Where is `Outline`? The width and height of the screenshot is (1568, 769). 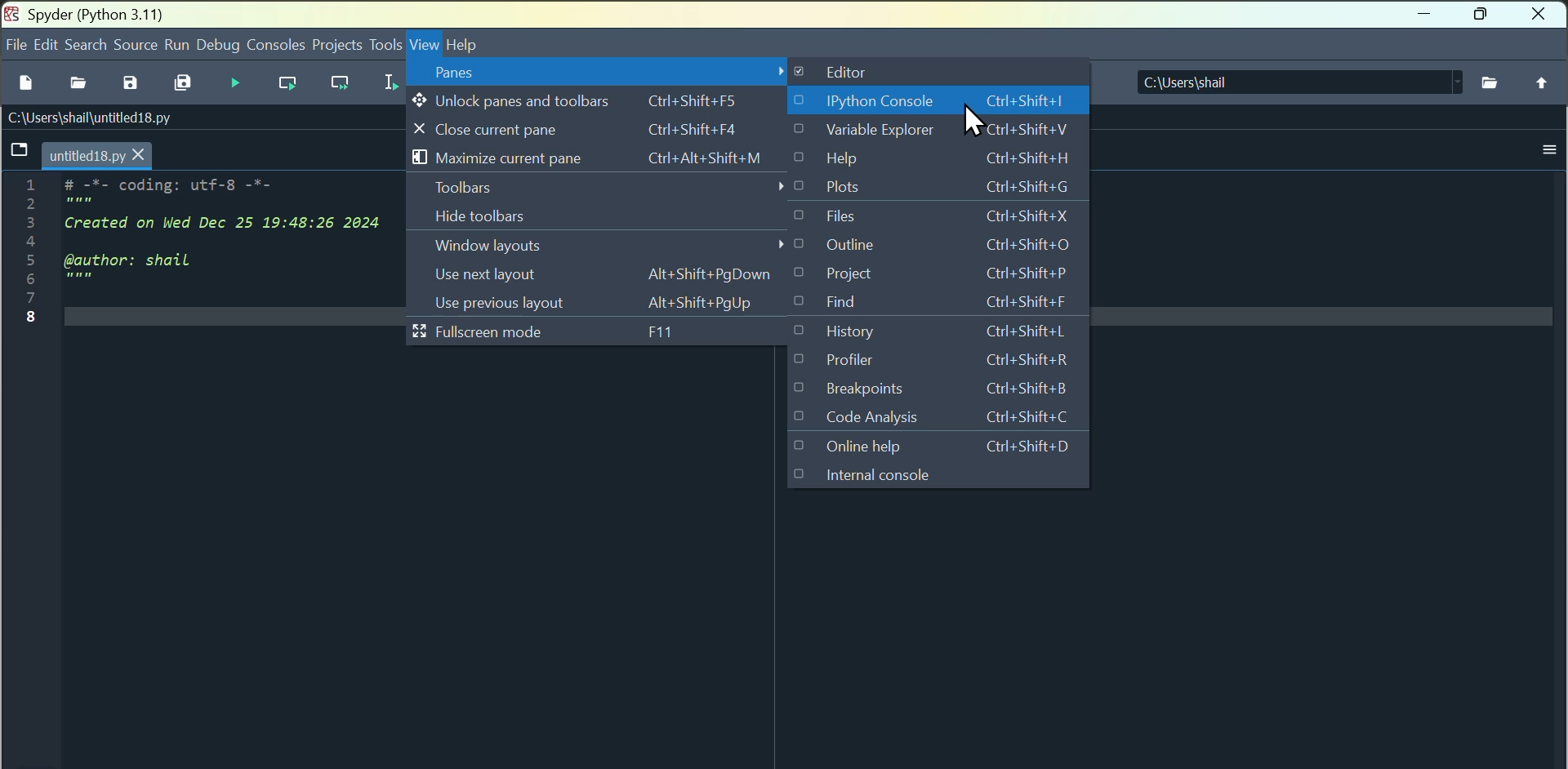
Outline is located at coordinates (940, 246).